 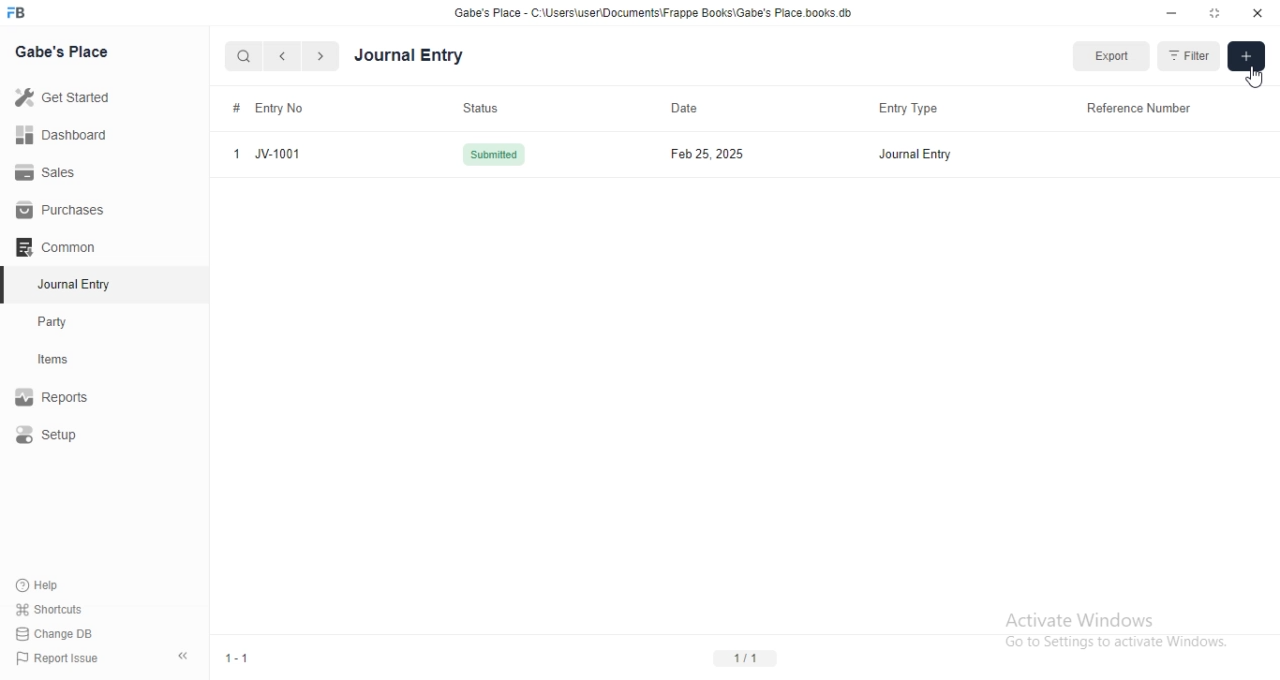 What do you see at coordinates (183, 657) in the screenshot?
I see `collapse sidebar` at bounding box center [183, 657].